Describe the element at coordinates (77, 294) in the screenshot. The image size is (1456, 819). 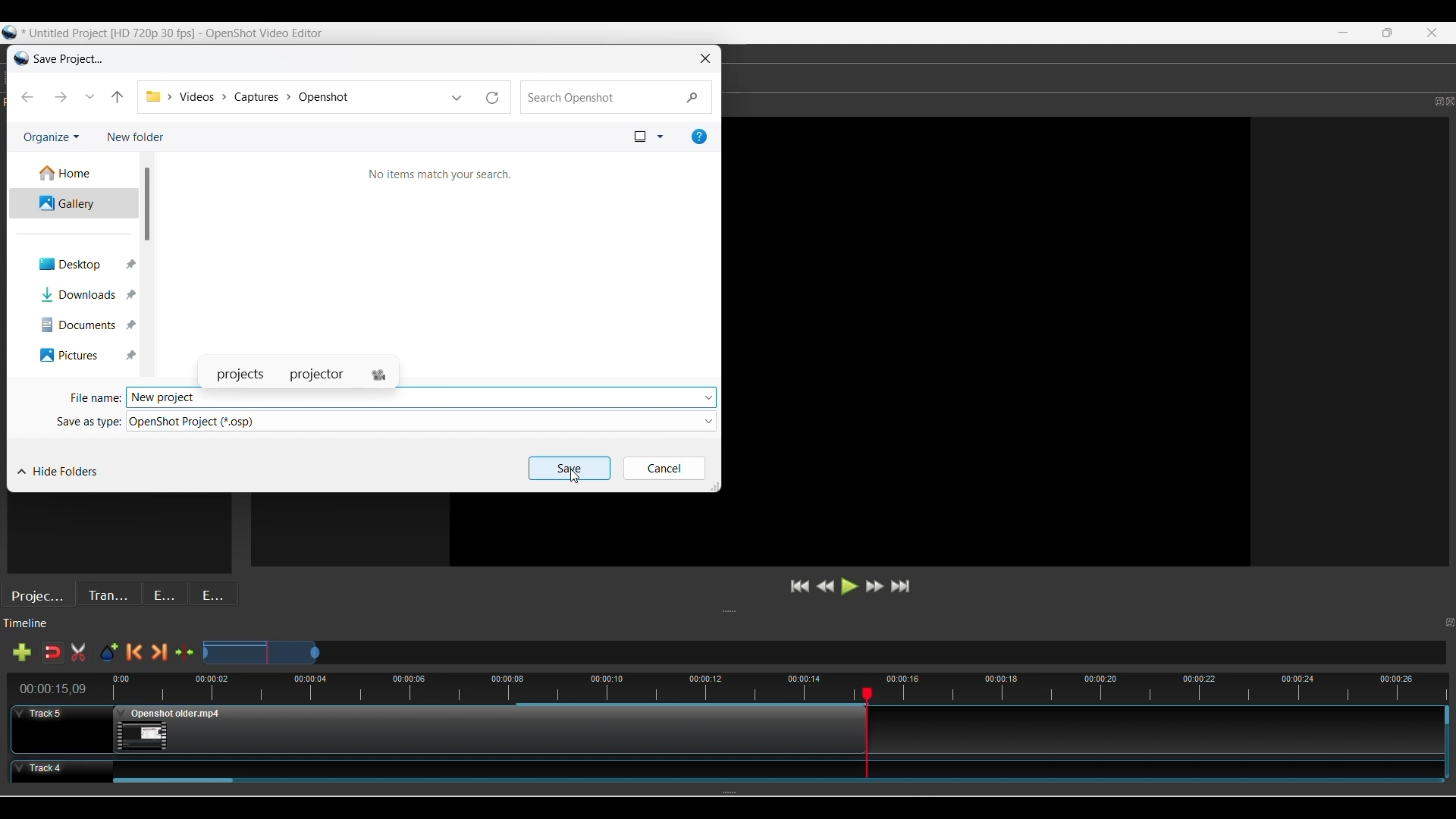
I see `Downloads` at that location.